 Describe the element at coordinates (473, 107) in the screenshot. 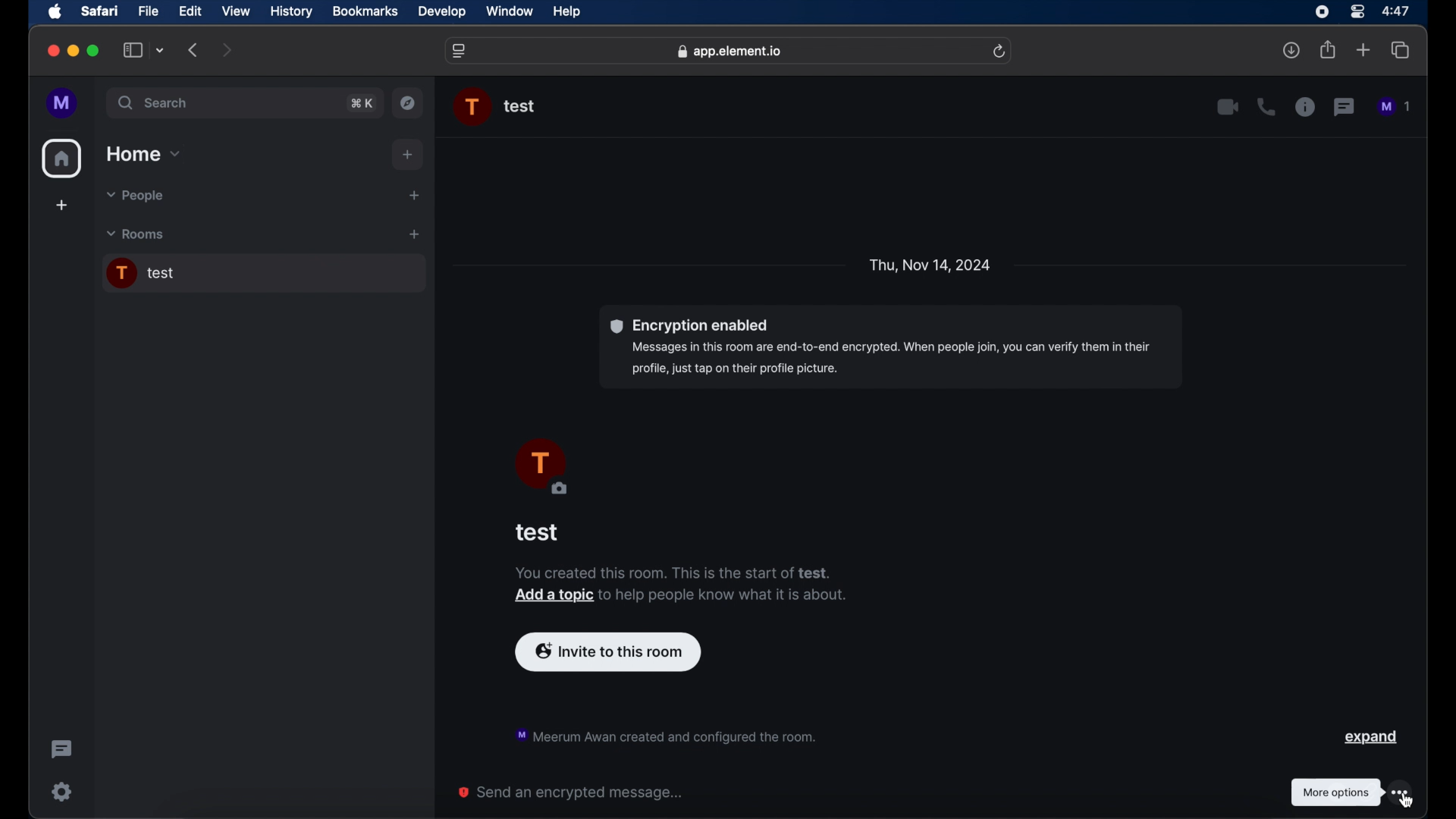

I see `profile picture` at that location.